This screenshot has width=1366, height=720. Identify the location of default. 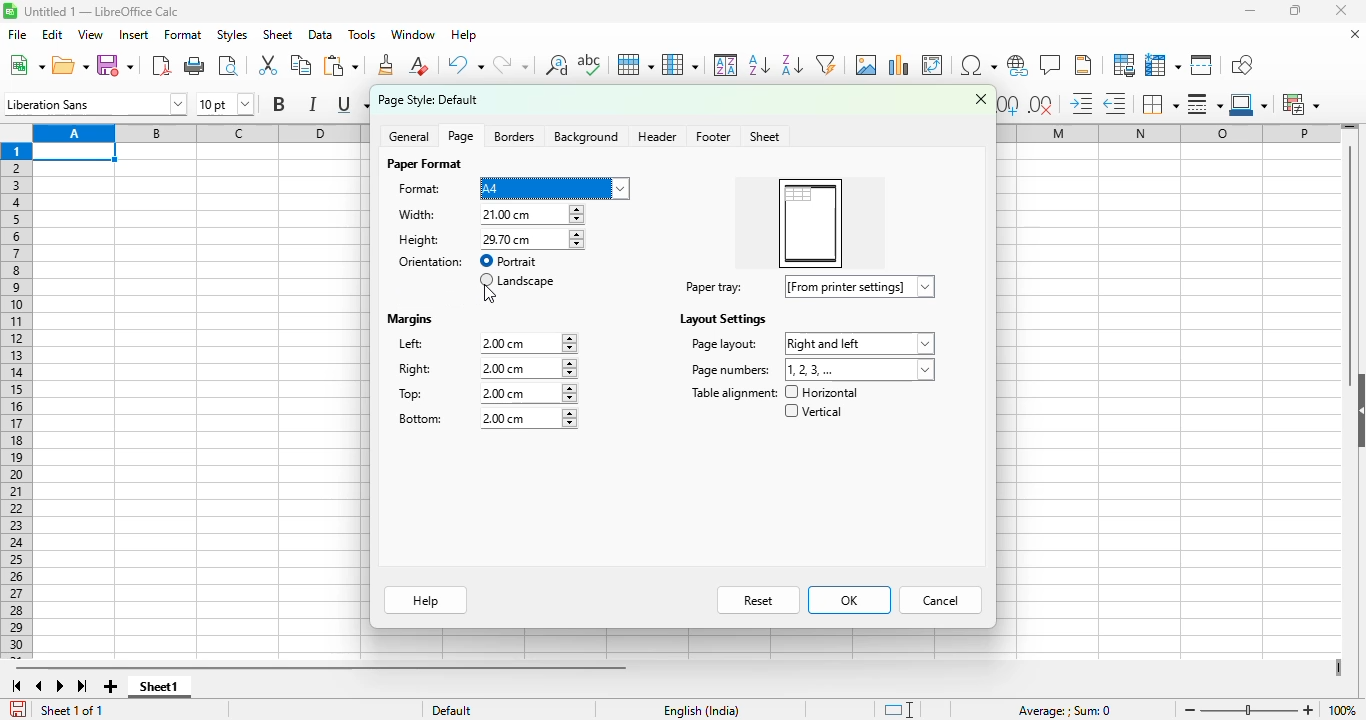
(452, 710).